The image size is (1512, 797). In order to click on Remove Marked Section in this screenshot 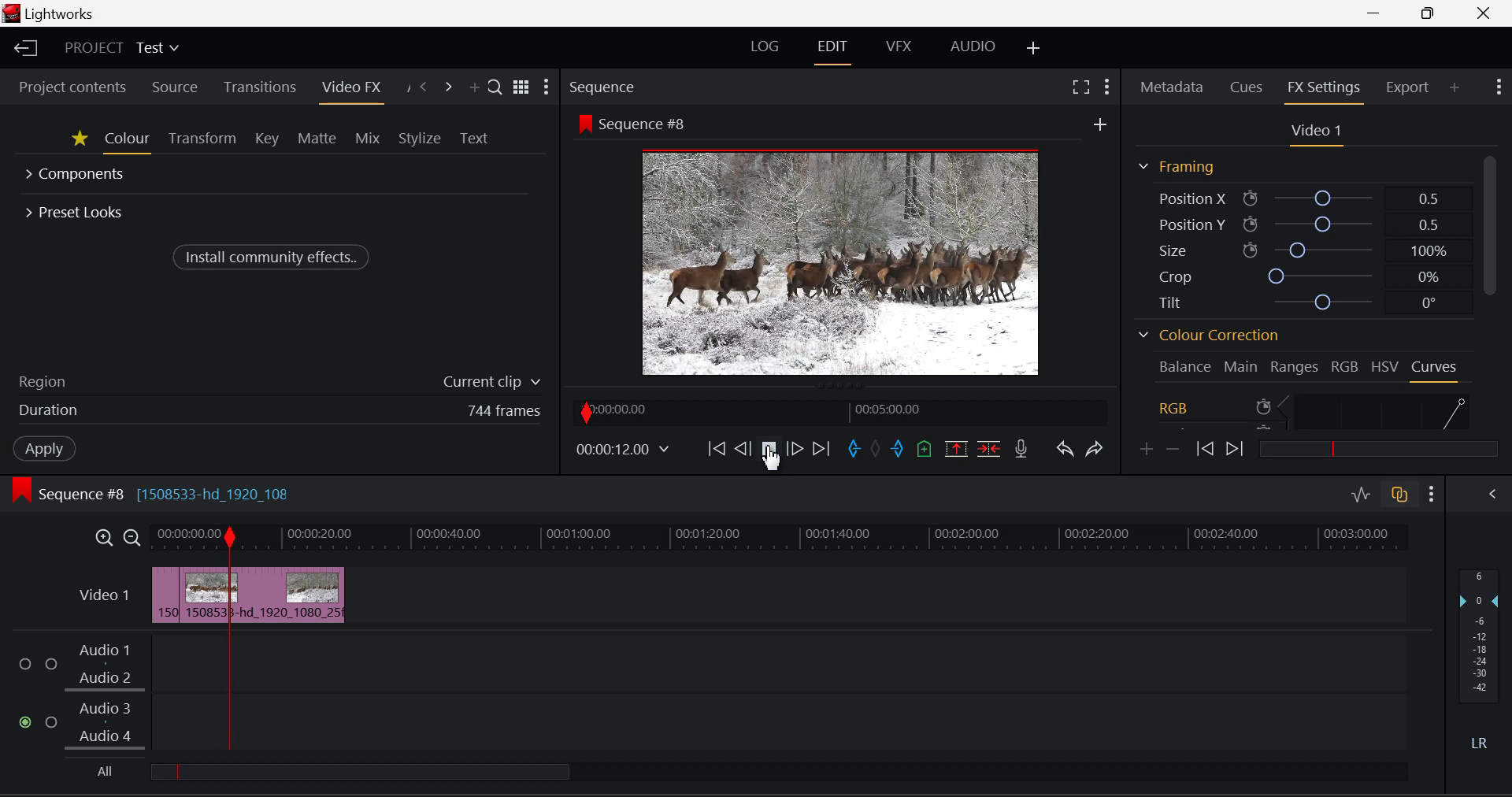, I will do `click(958, 448)`.